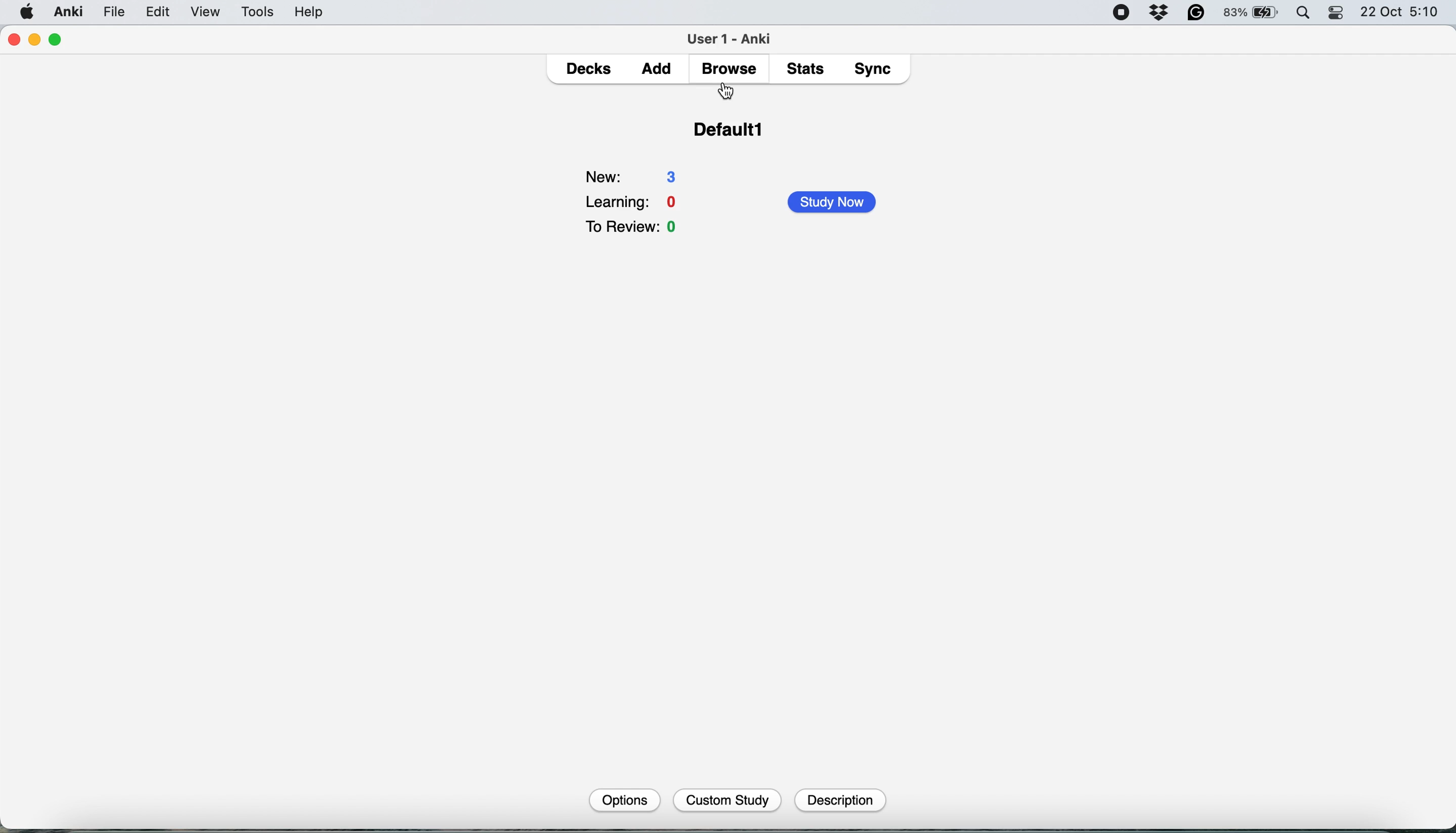 This screenshot has height=833, width=1456. I want to click on 22 Oct 5:10, so click(1401, 13).